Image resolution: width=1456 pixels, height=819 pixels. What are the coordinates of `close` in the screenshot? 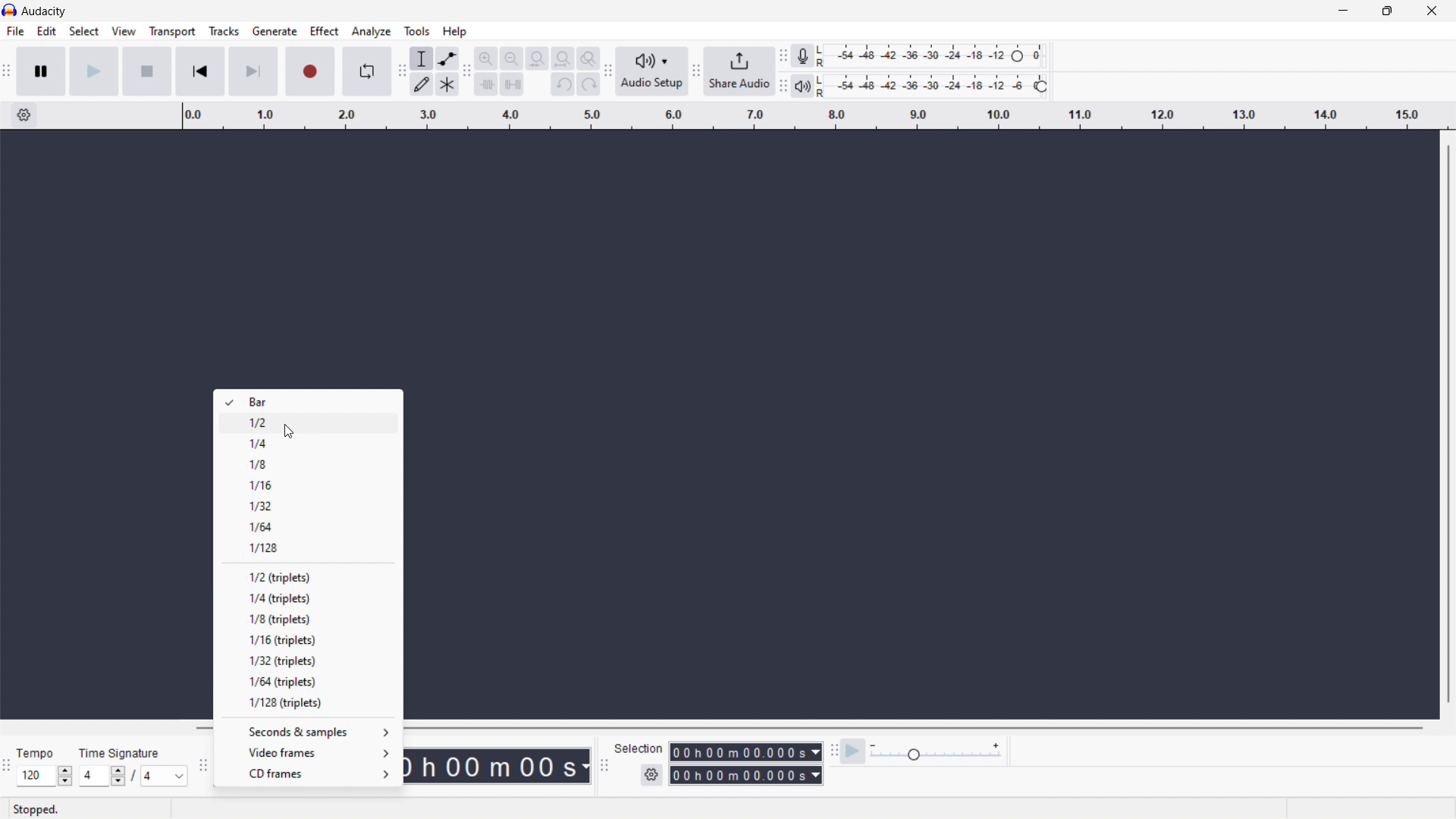 It's located at (1430, 11).